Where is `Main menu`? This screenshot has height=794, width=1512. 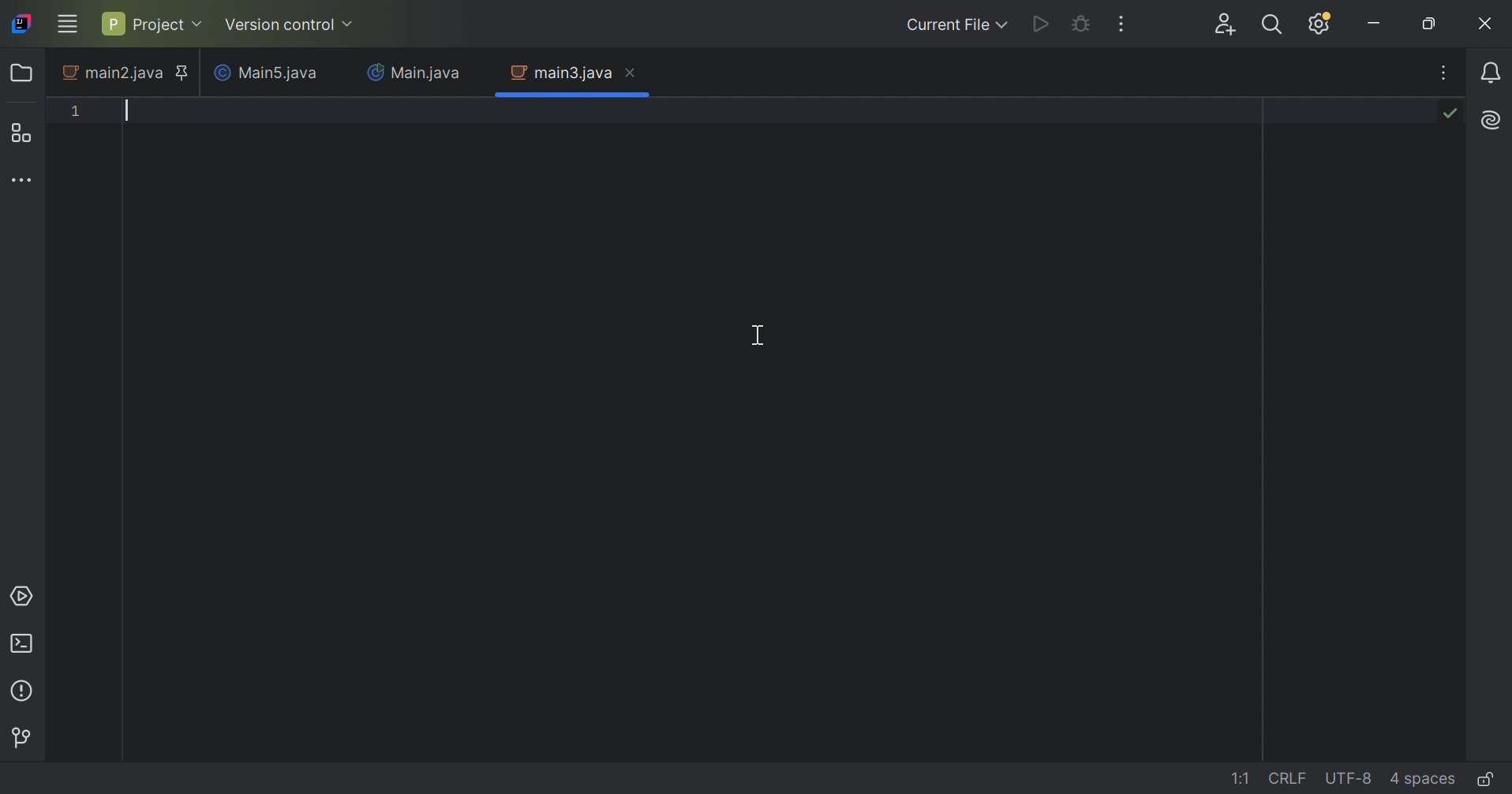
Main menu is located at coordinates (68, 25).